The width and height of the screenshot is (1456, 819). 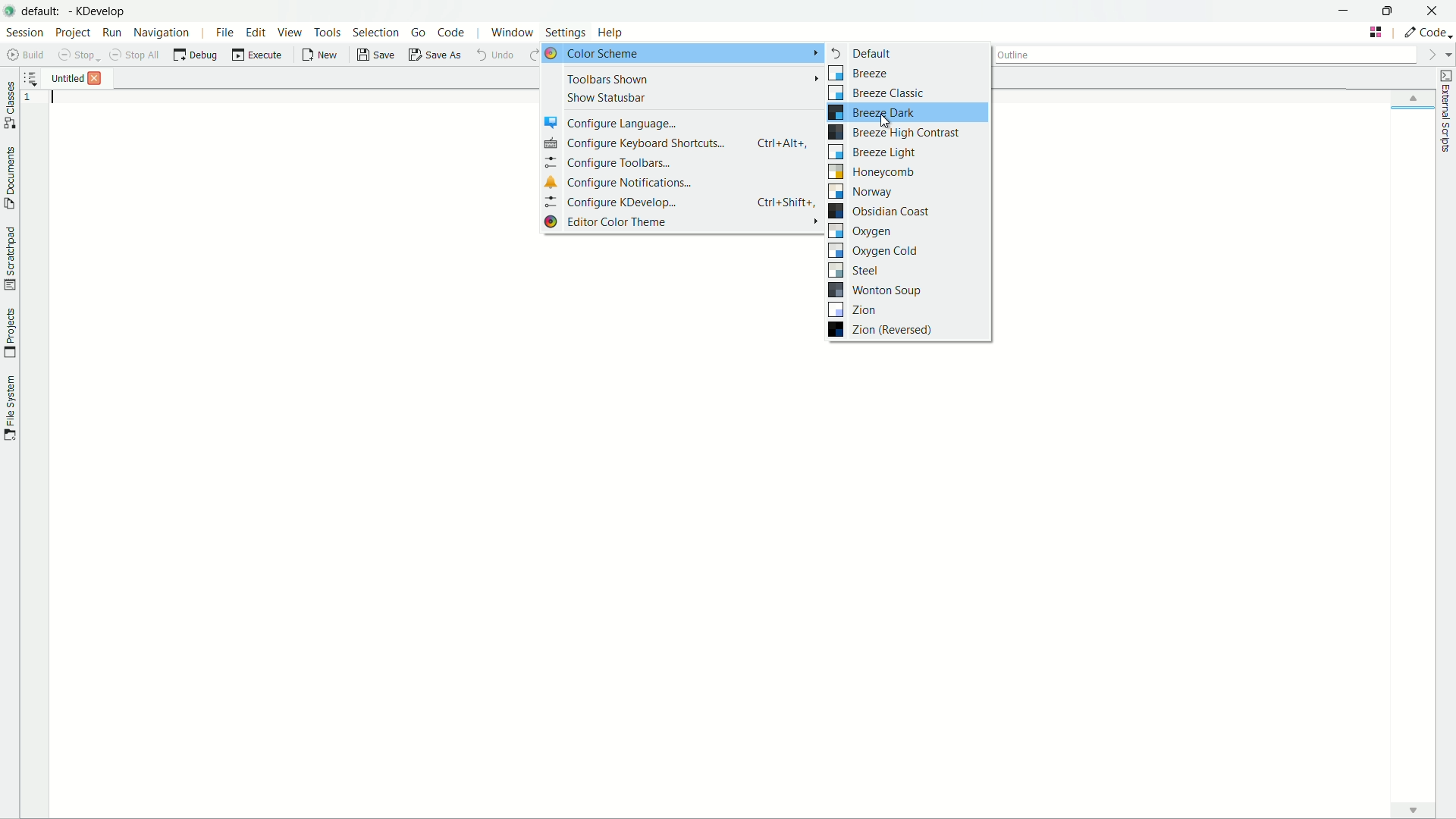 I want to click on build, so click(x=28, y=55).